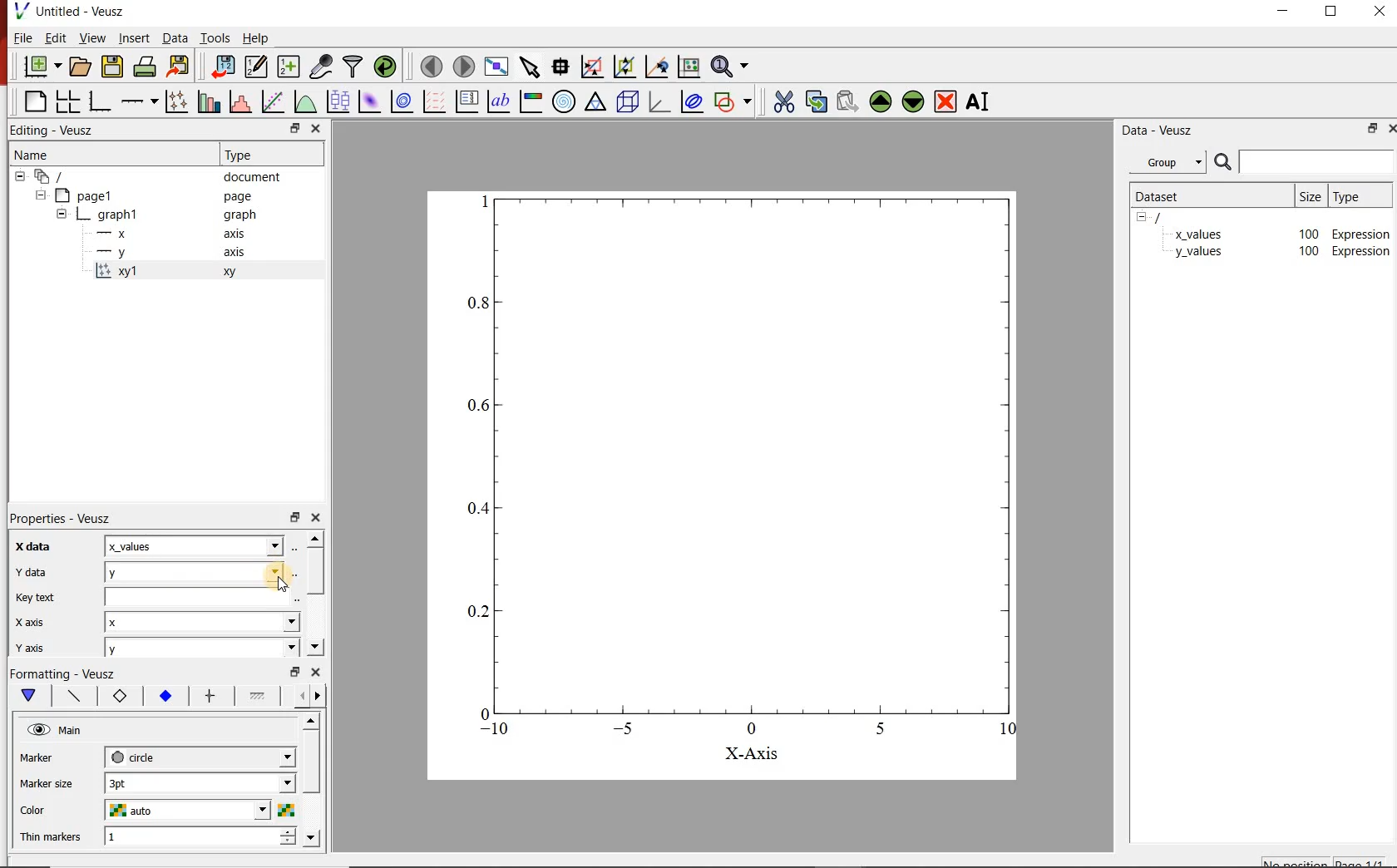 The image size is (1397, 868). Describe the element at coordinates (288, 586) in the screenshot. I see `cursor` at that location.